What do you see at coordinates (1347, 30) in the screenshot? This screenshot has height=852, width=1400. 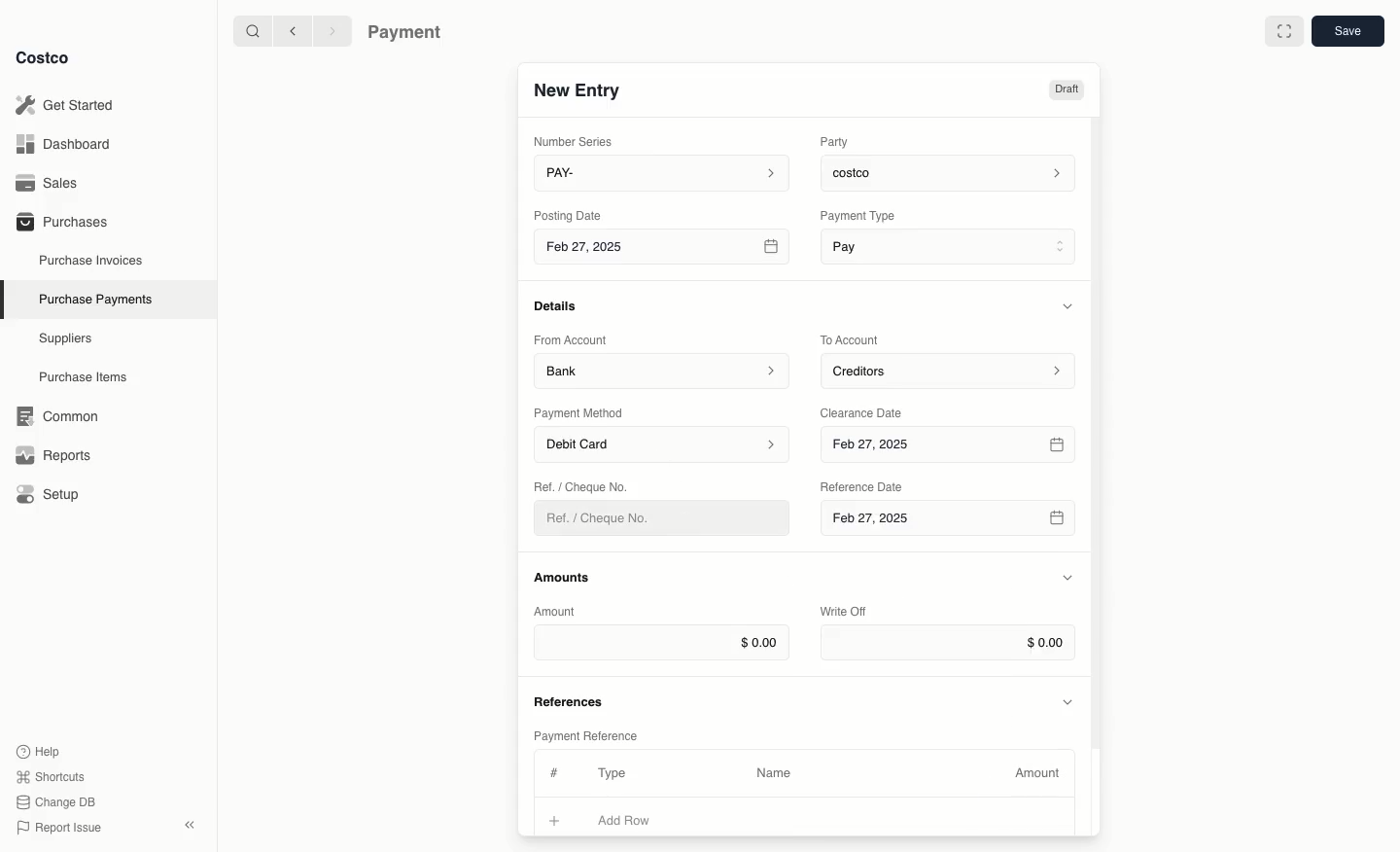 I see `Save` at bounding box center [1347, 30].